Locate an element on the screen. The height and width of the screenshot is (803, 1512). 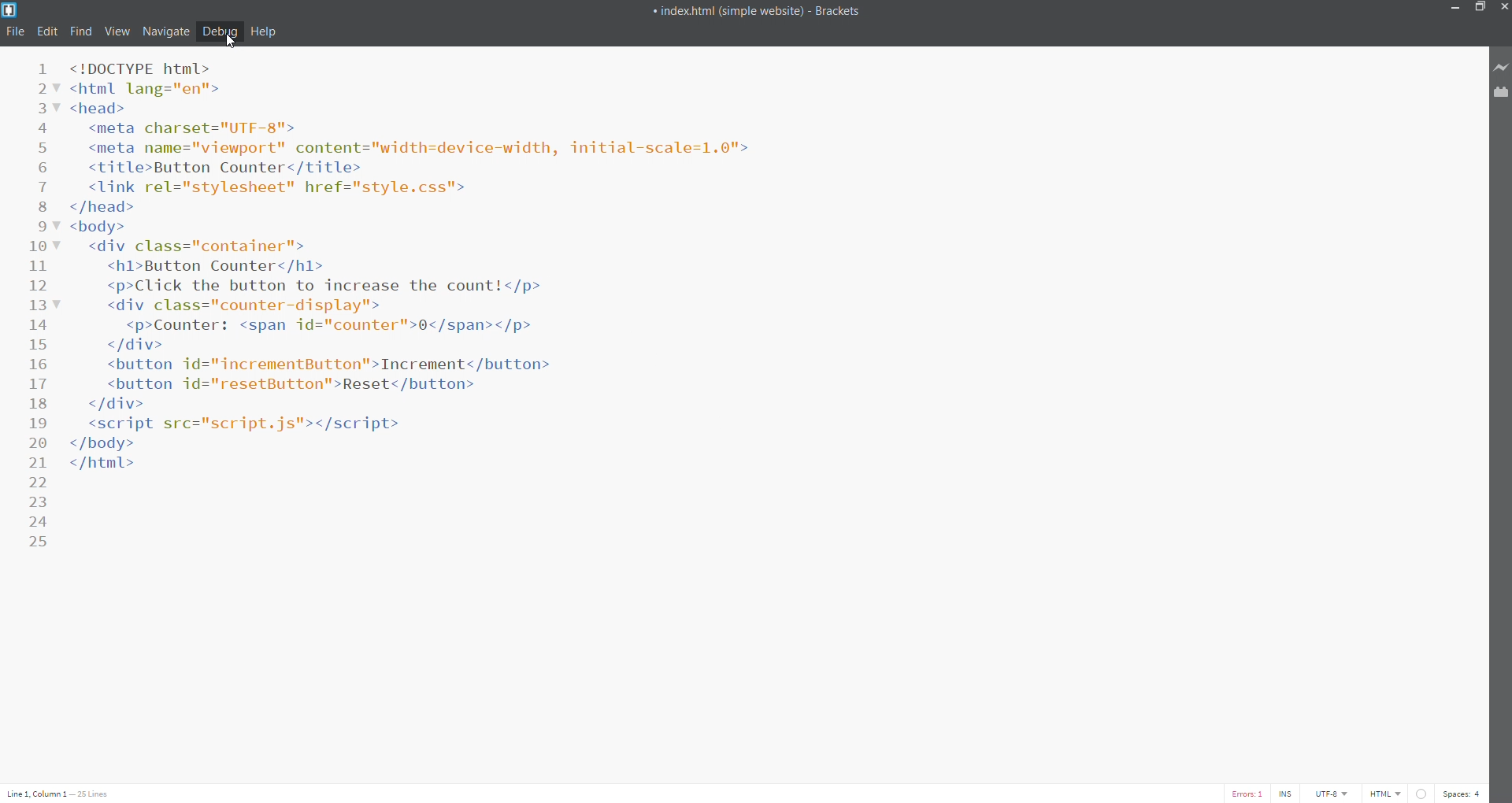
minimize is located at coordinates (1453, 9).